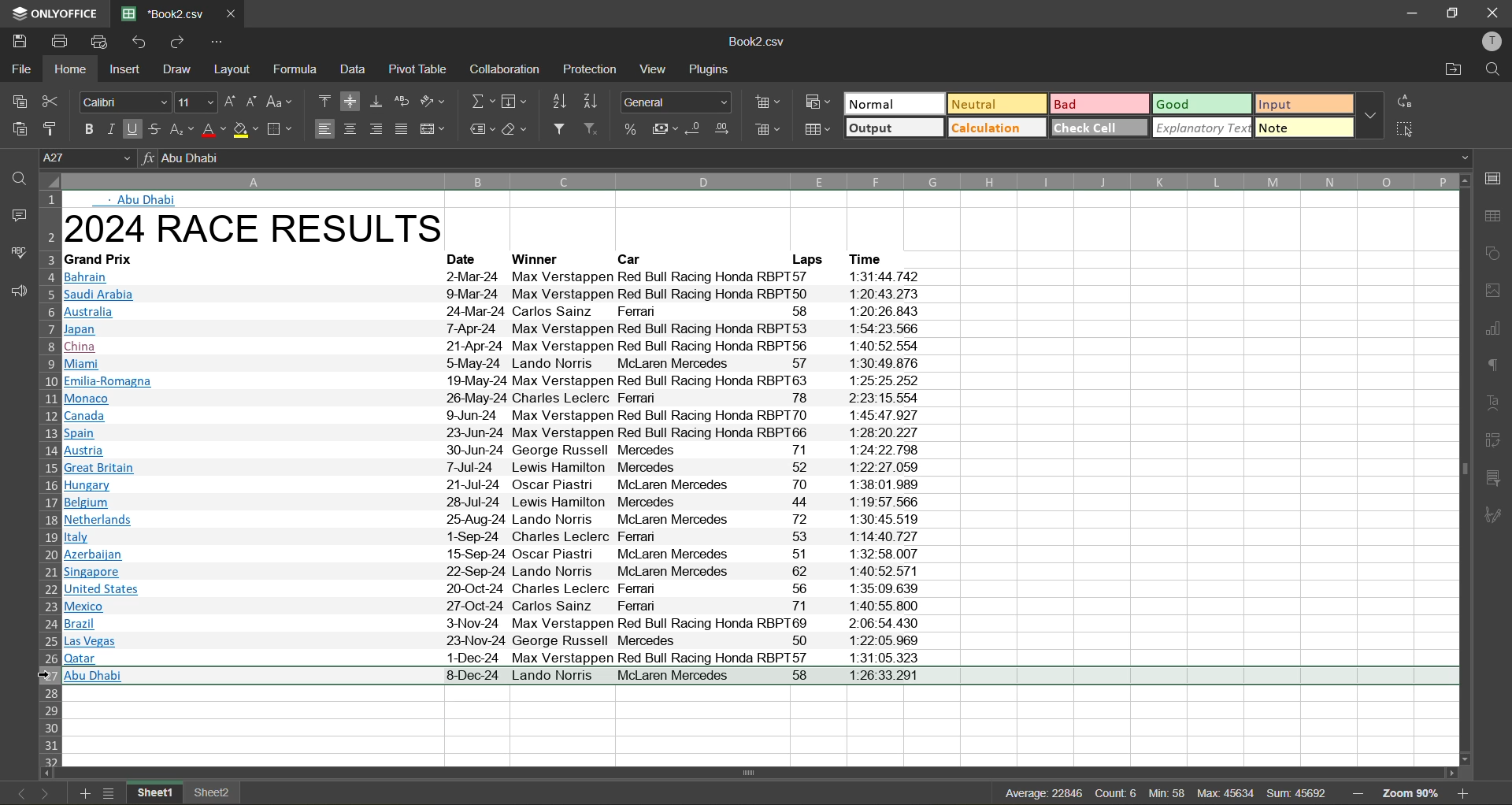 The image size is (1512, 805). What do you see at coordinates (183, 792) in the screenshot?
I see `sheet names` at bounding box center [183, 792].